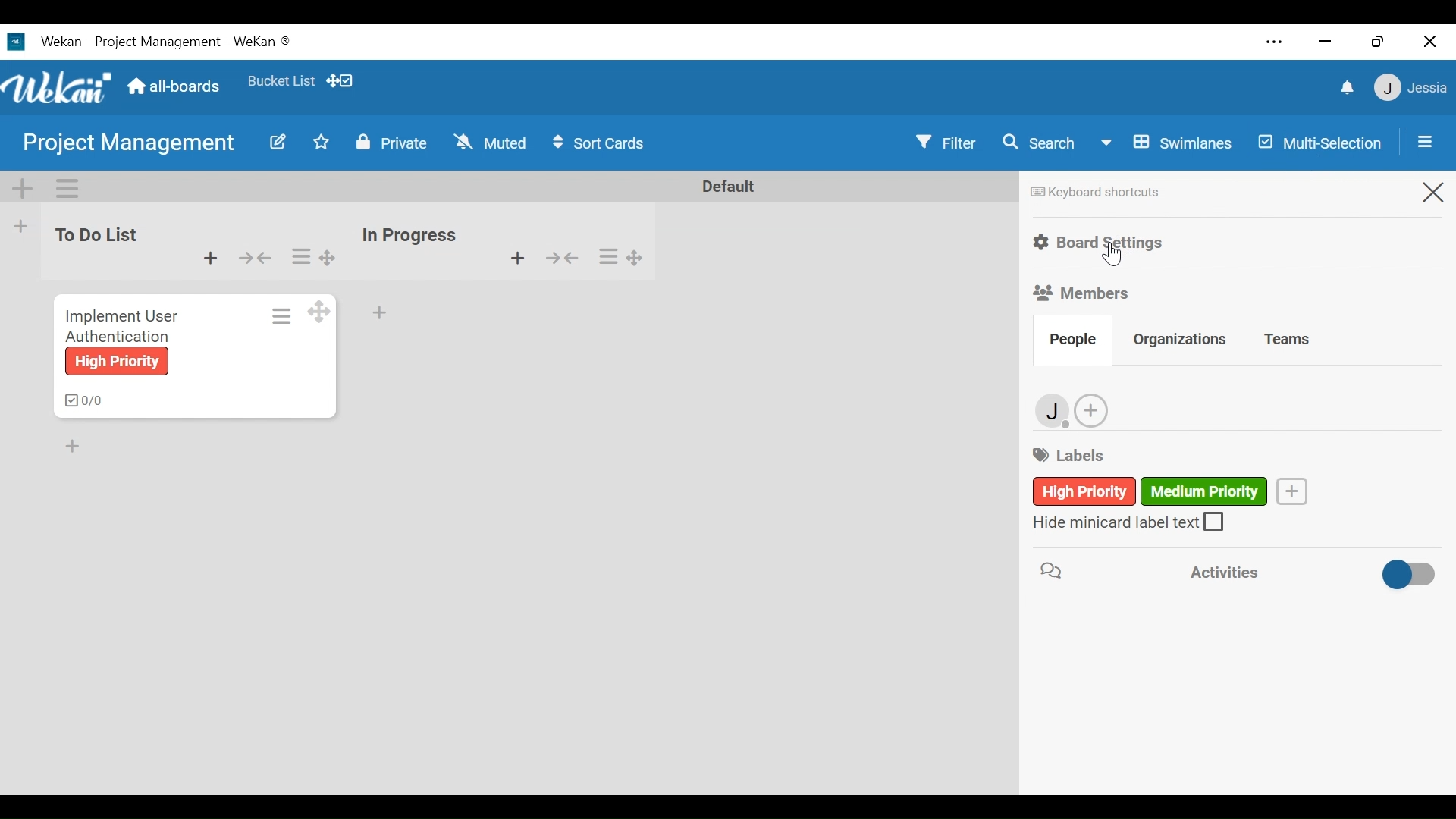 Image resolution: width=1456 pixels, height=819 pixels. I want to click on show/hide Desktop drag handles, so click(340, 80).